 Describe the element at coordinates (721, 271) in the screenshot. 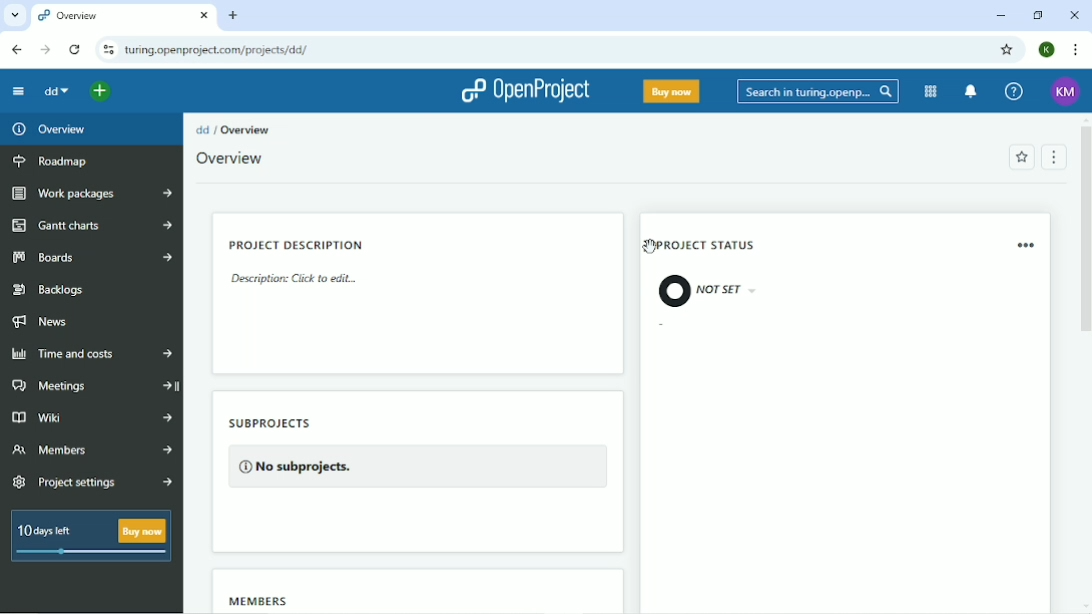

I see `Project status` at that location.